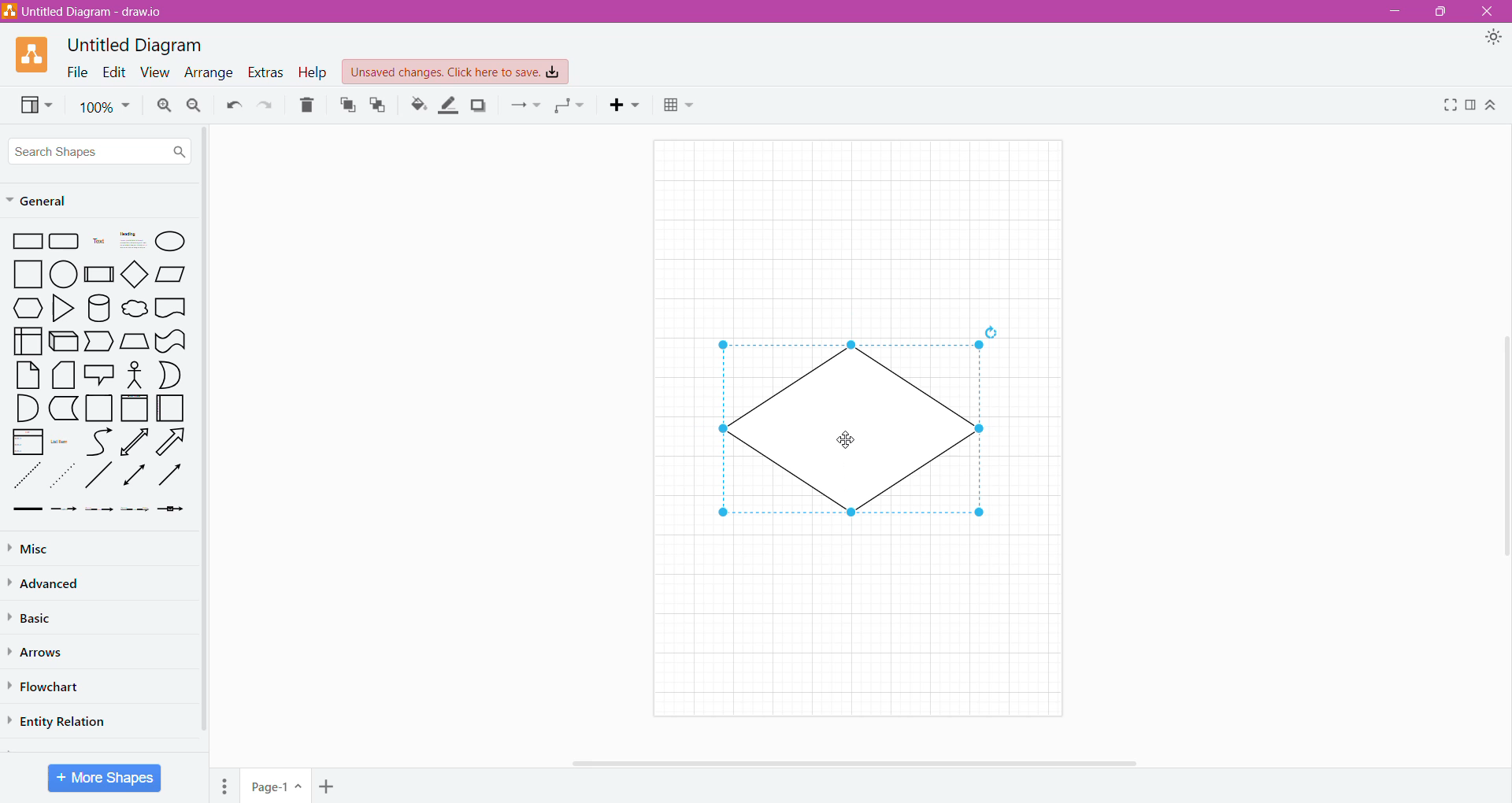 The width and height of the screenshot is (1512, 803). I want to click on Vertical Scroll Bar, so click(1502, 439).